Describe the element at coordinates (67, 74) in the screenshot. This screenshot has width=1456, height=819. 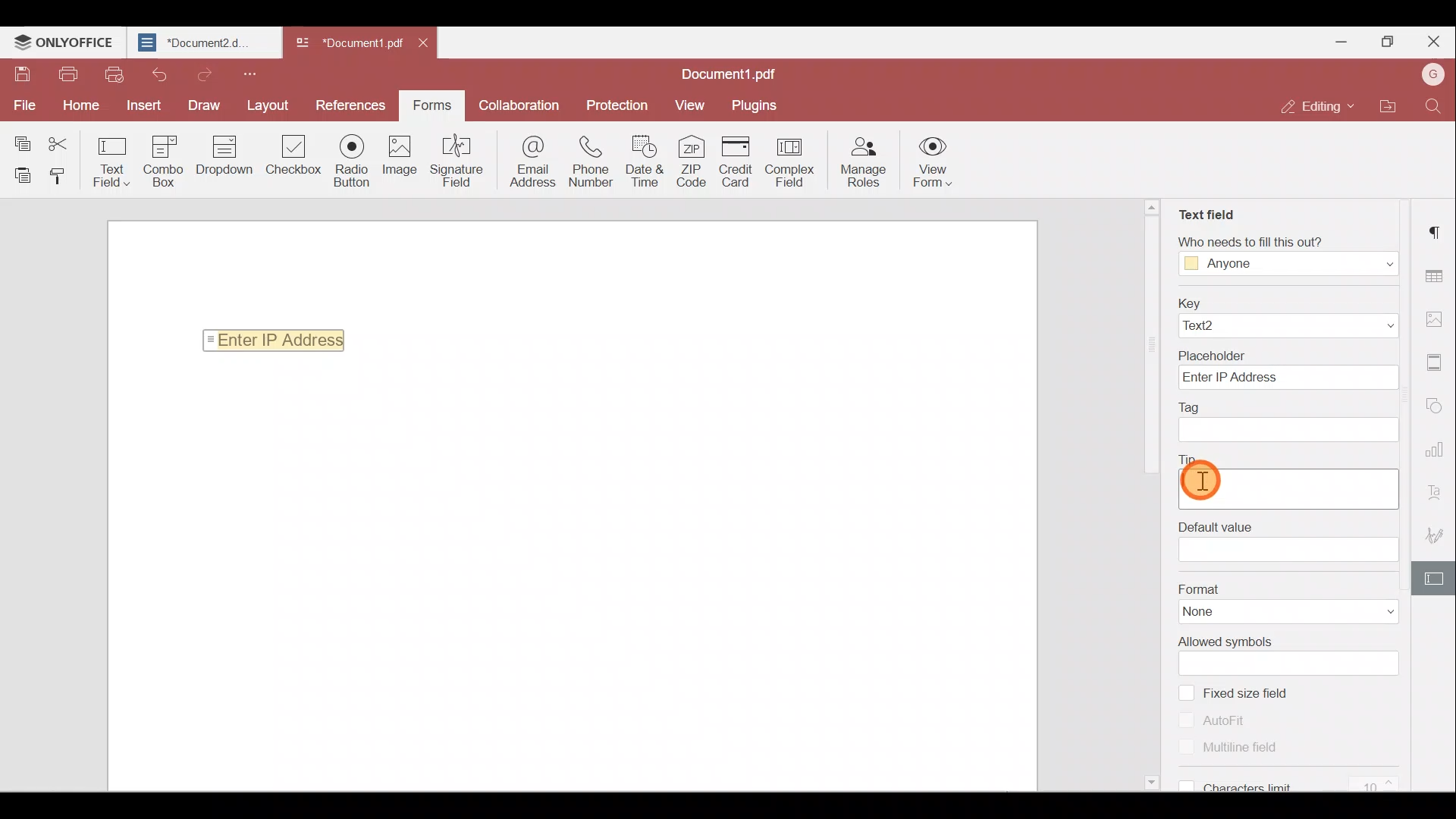
I see `Print file` at that location.